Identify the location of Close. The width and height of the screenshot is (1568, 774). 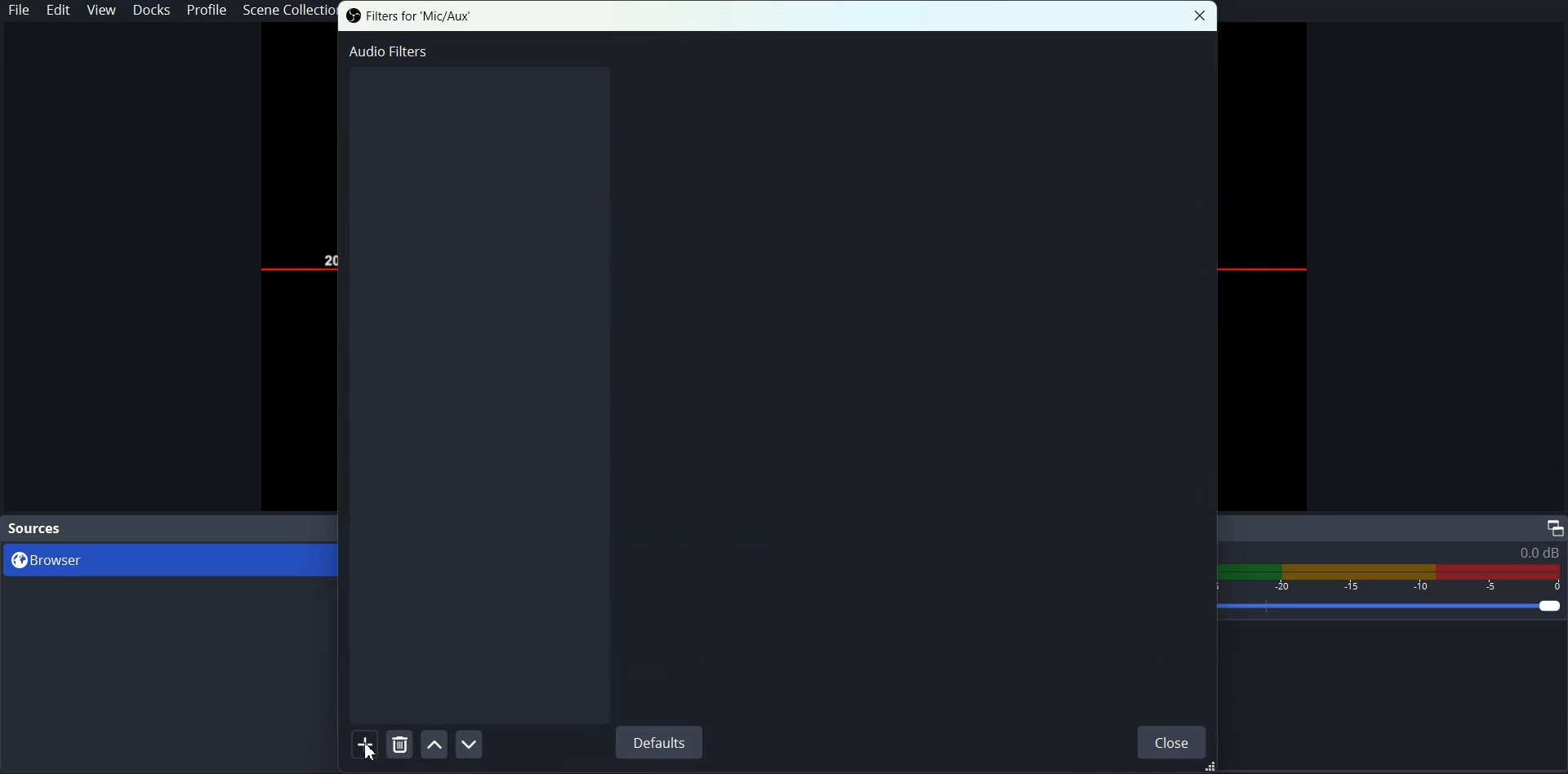
(1202, 16).